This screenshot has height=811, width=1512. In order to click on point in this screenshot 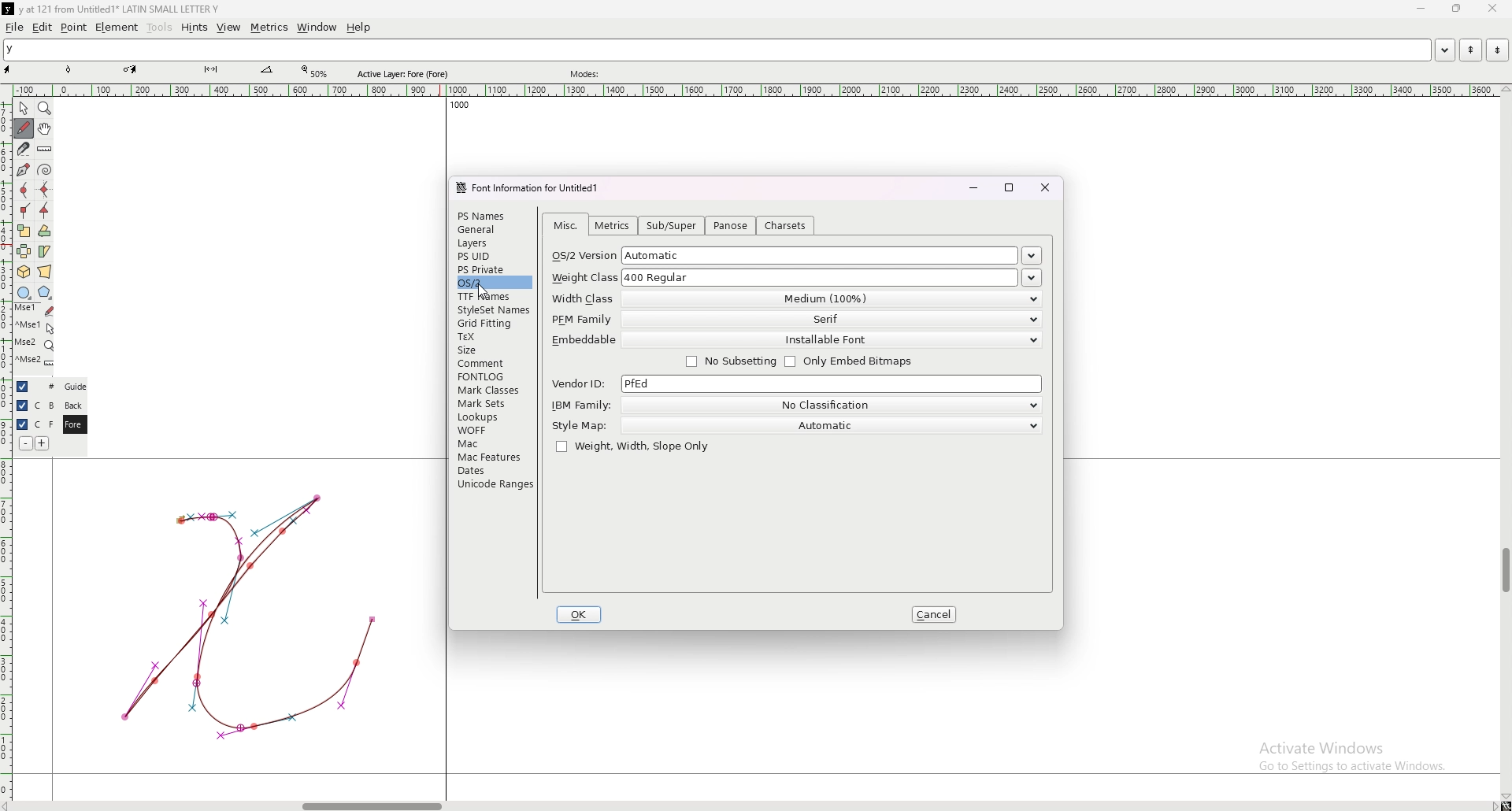, I will do `click(74, 27)`.